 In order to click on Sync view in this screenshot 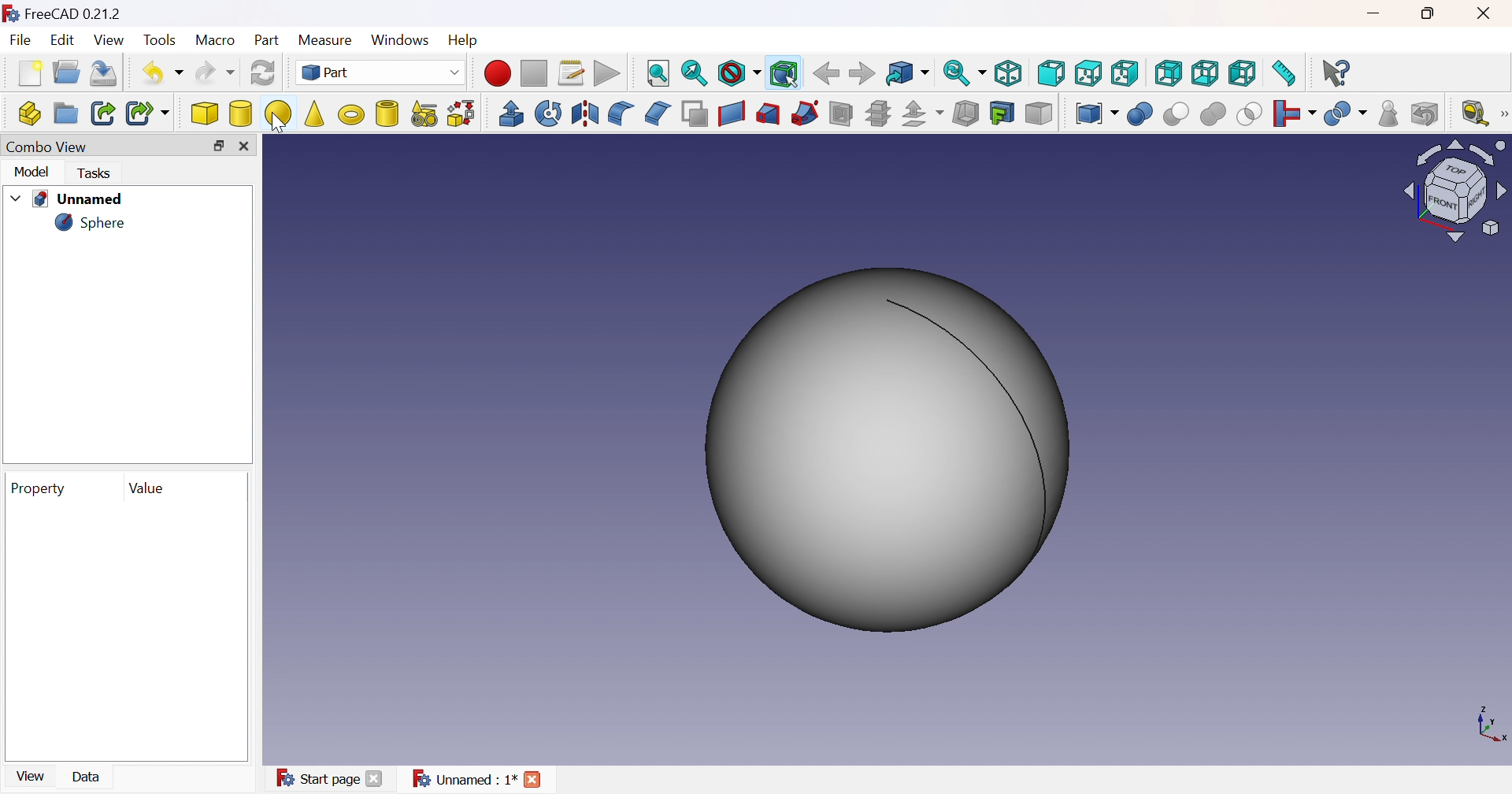, I will do `click(967, 73)`.